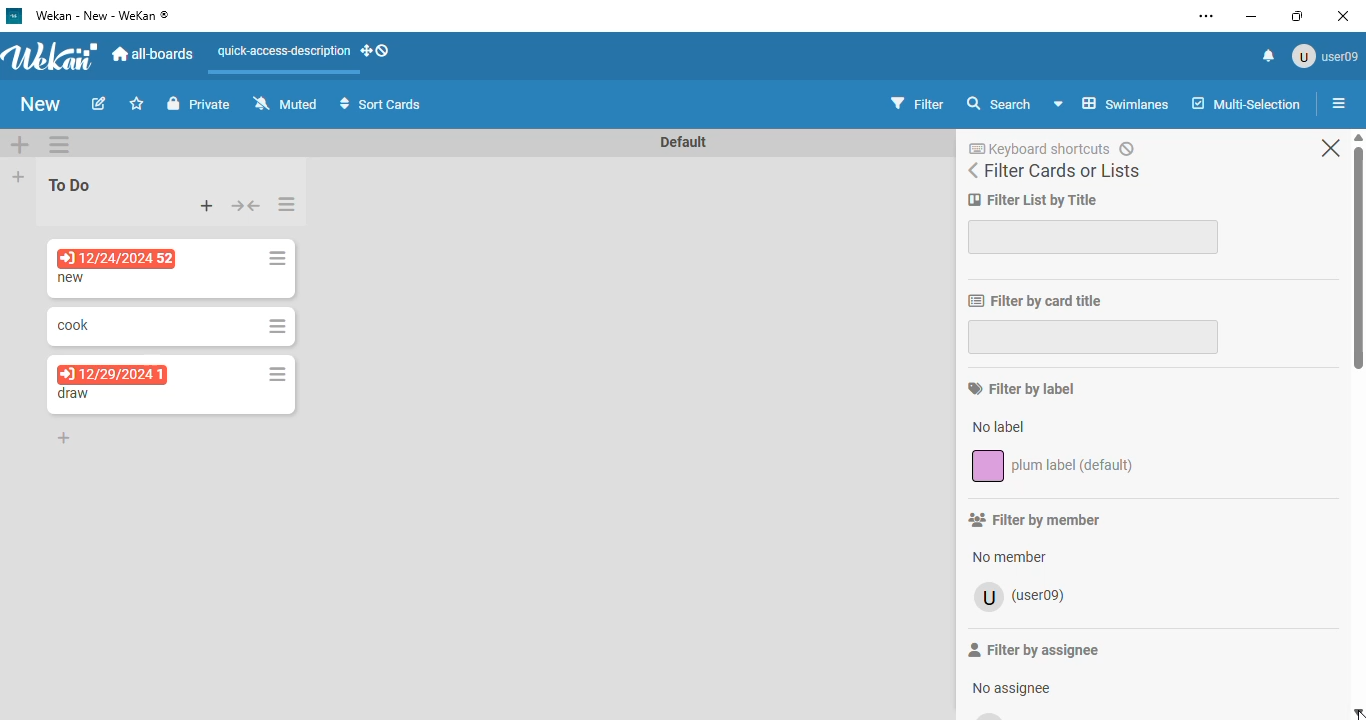 The image size is (1366, 720). Describe the element at coordinates (1342, 105) in the screenshot. I see `open sidebar or close sidebar` at that location.